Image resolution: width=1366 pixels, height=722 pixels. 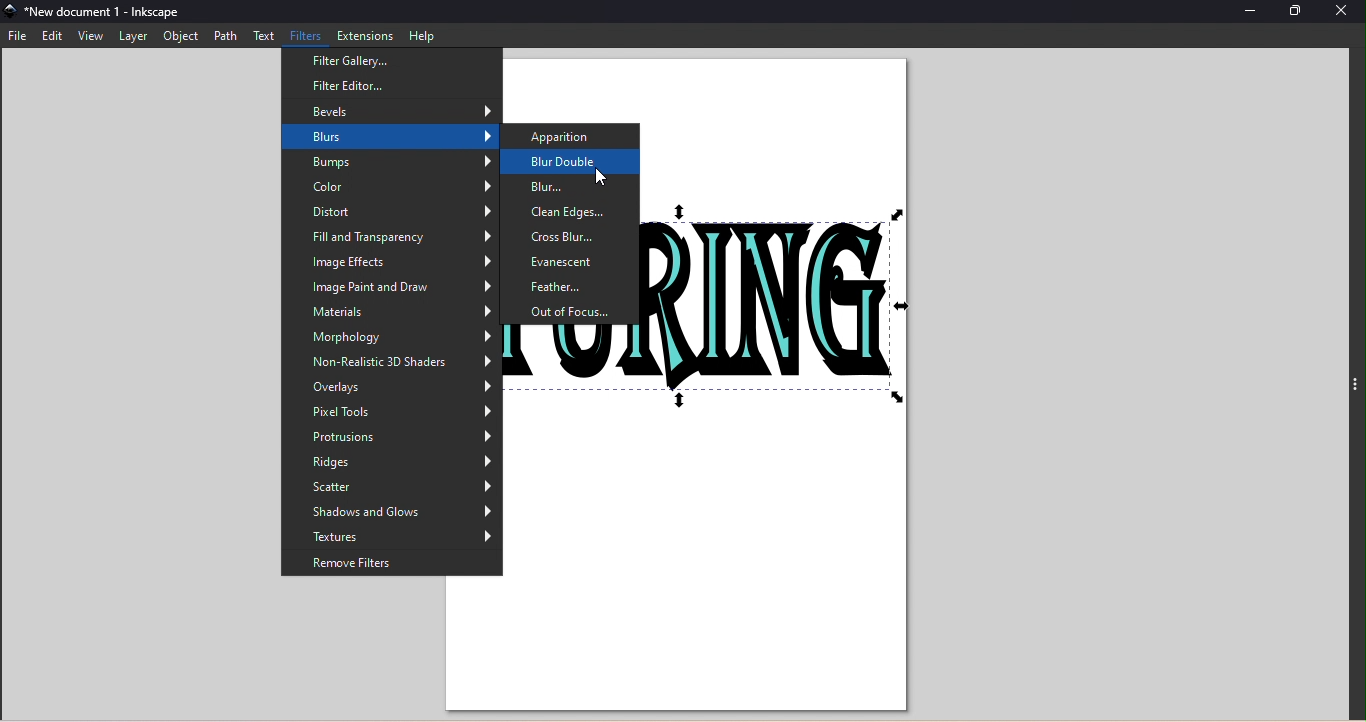 What do you see at coordinates (571, 138) in the screenshot?
I see `Apparition` at bounding box center [571, 138].